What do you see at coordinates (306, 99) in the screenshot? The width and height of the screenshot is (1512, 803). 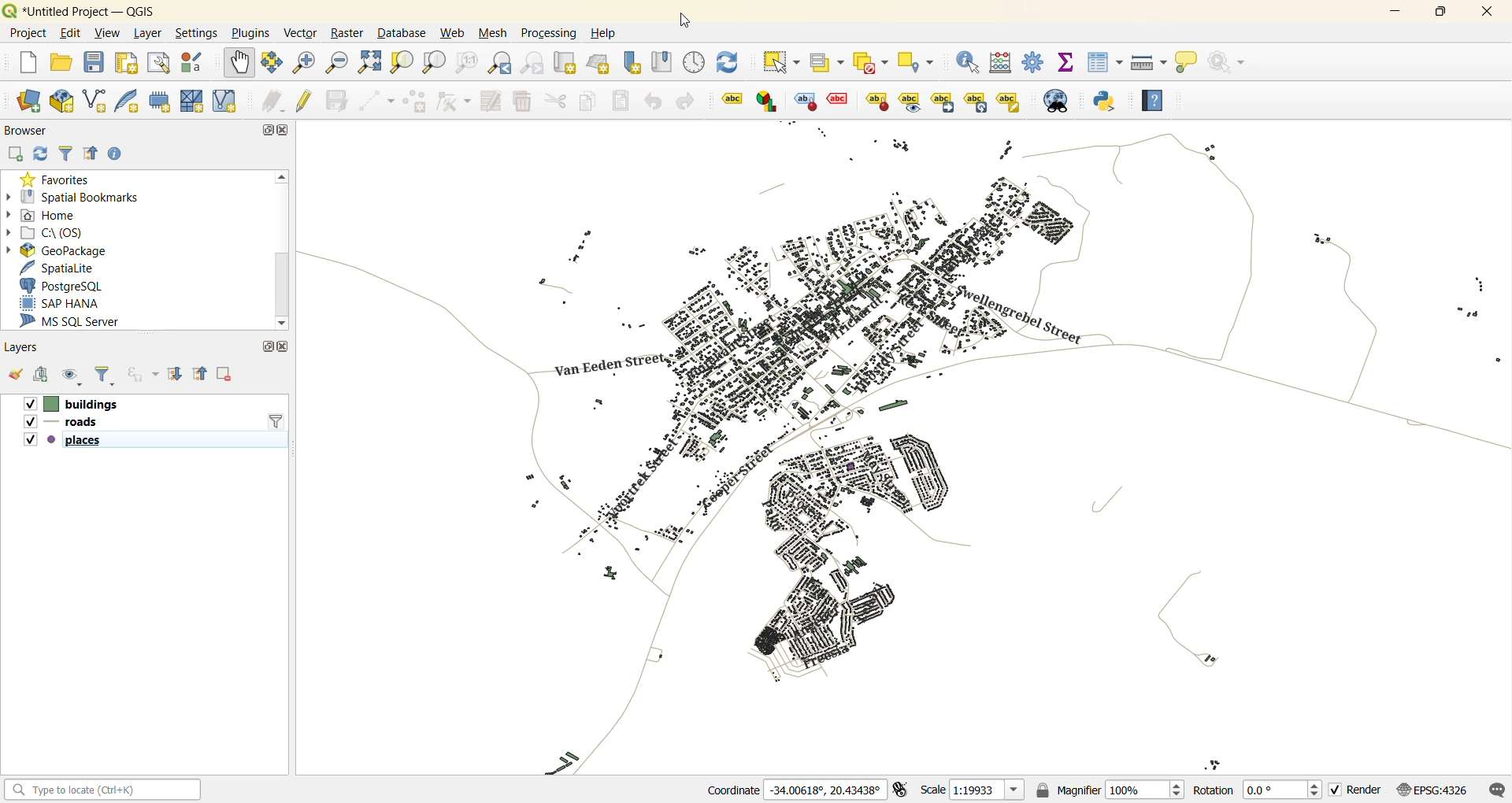 I see `toggle edits` at bounding box center [306, 99].